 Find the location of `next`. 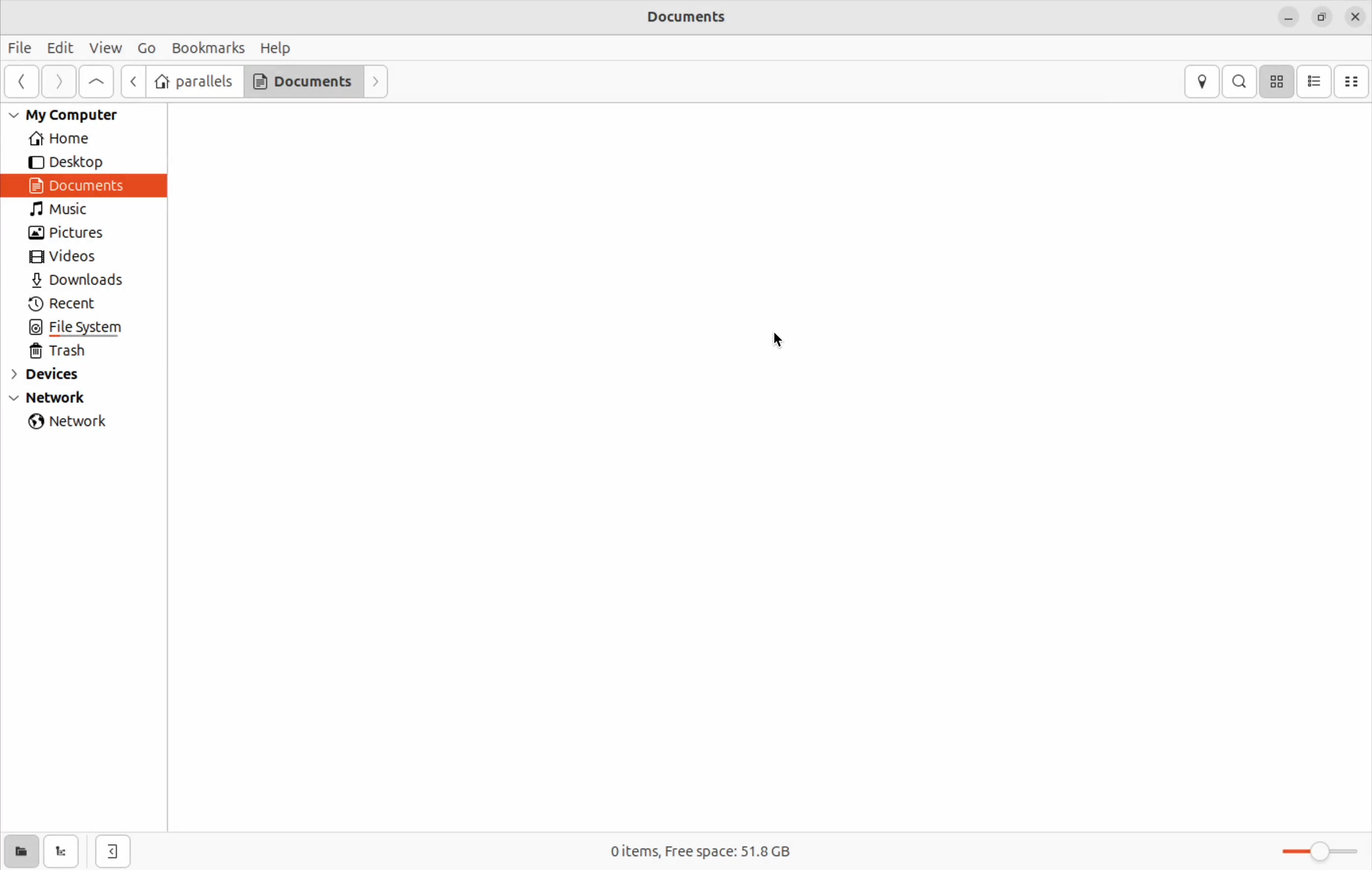

next is located at coordinates (132, 80).